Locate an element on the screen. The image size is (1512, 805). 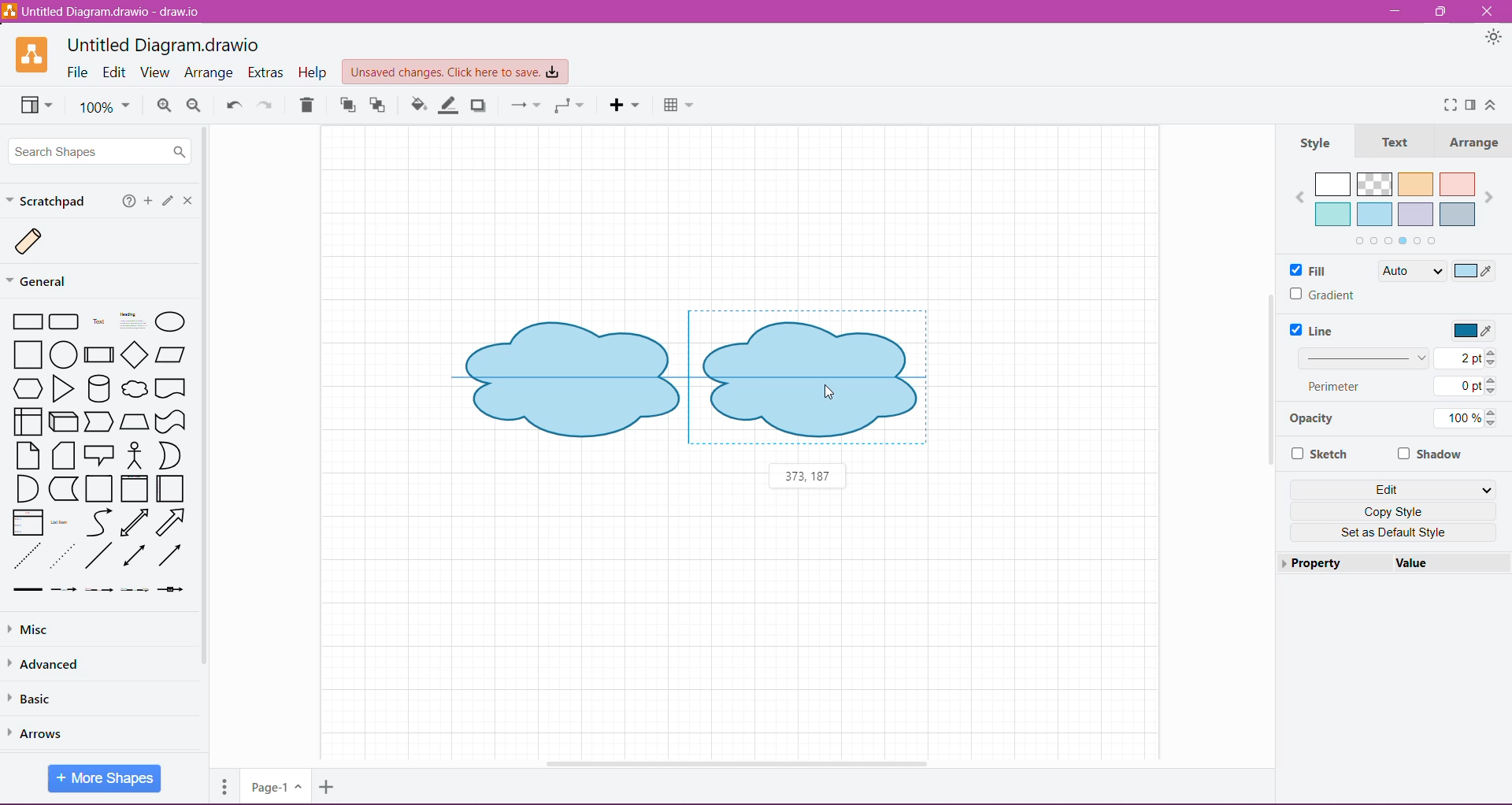
File is located at coordinates (76, 72).